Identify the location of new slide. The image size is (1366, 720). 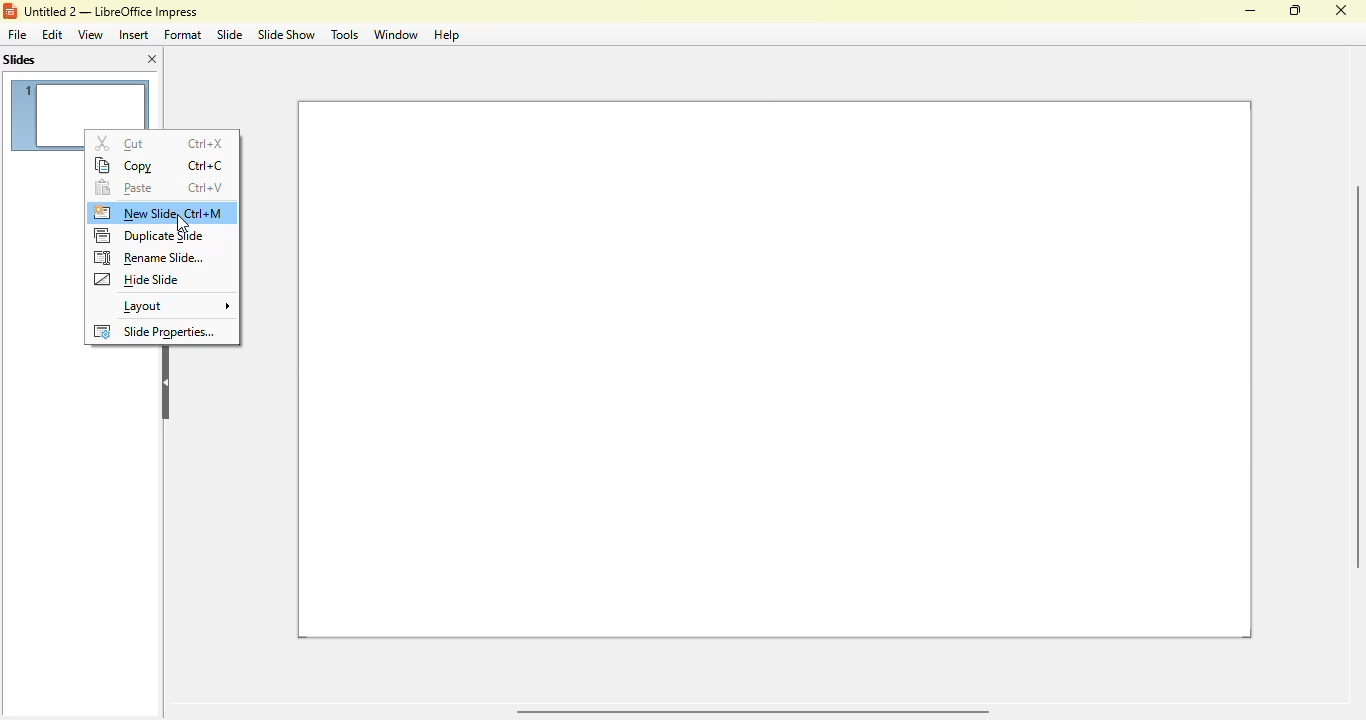
(134, 212).